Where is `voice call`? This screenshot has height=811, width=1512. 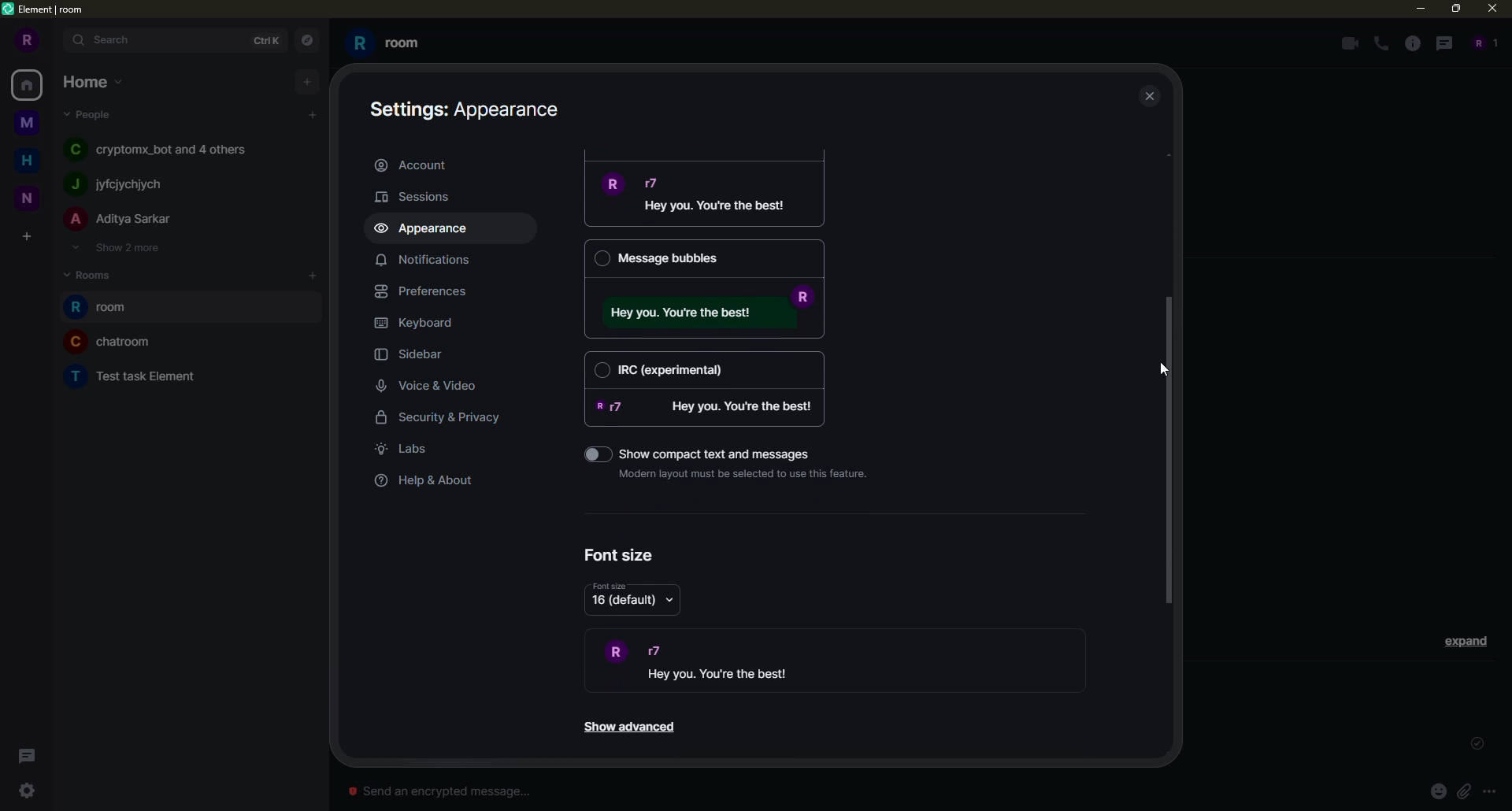 voice call is located at coordinates (1383, 44).